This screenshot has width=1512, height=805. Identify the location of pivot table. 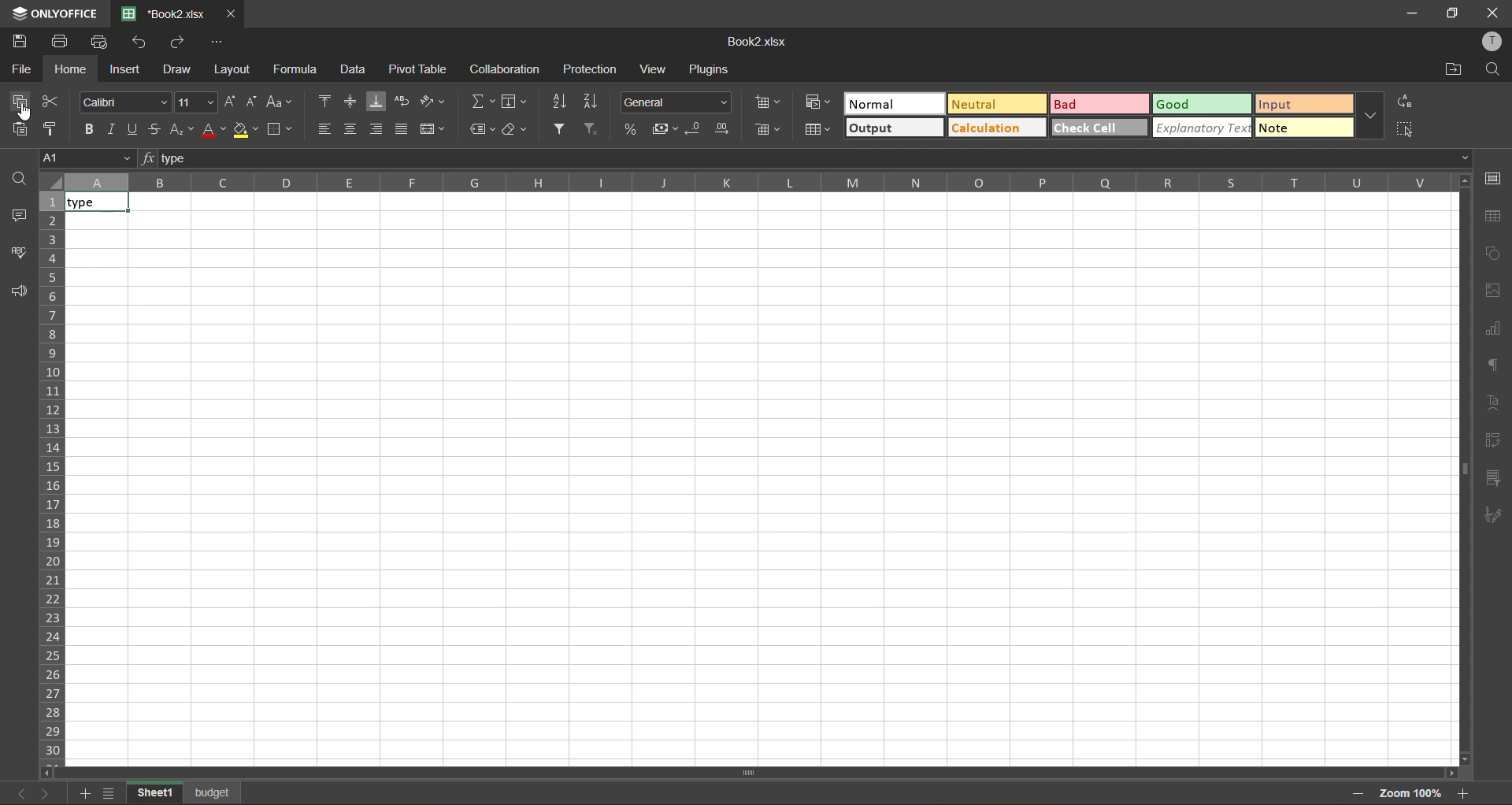
(419, 69).